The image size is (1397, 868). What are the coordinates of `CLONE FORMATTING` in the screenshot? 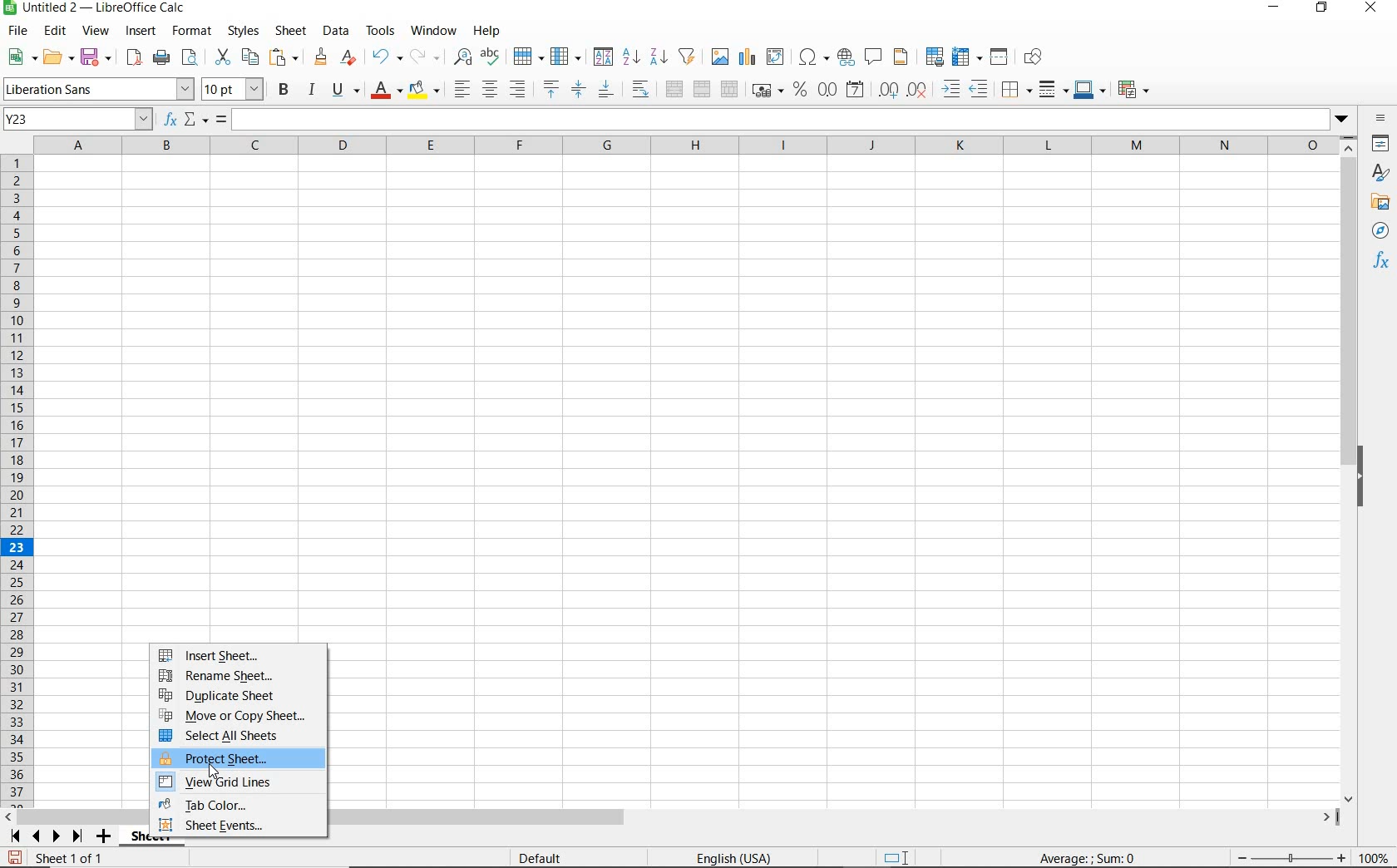 It's located at (322, 57).